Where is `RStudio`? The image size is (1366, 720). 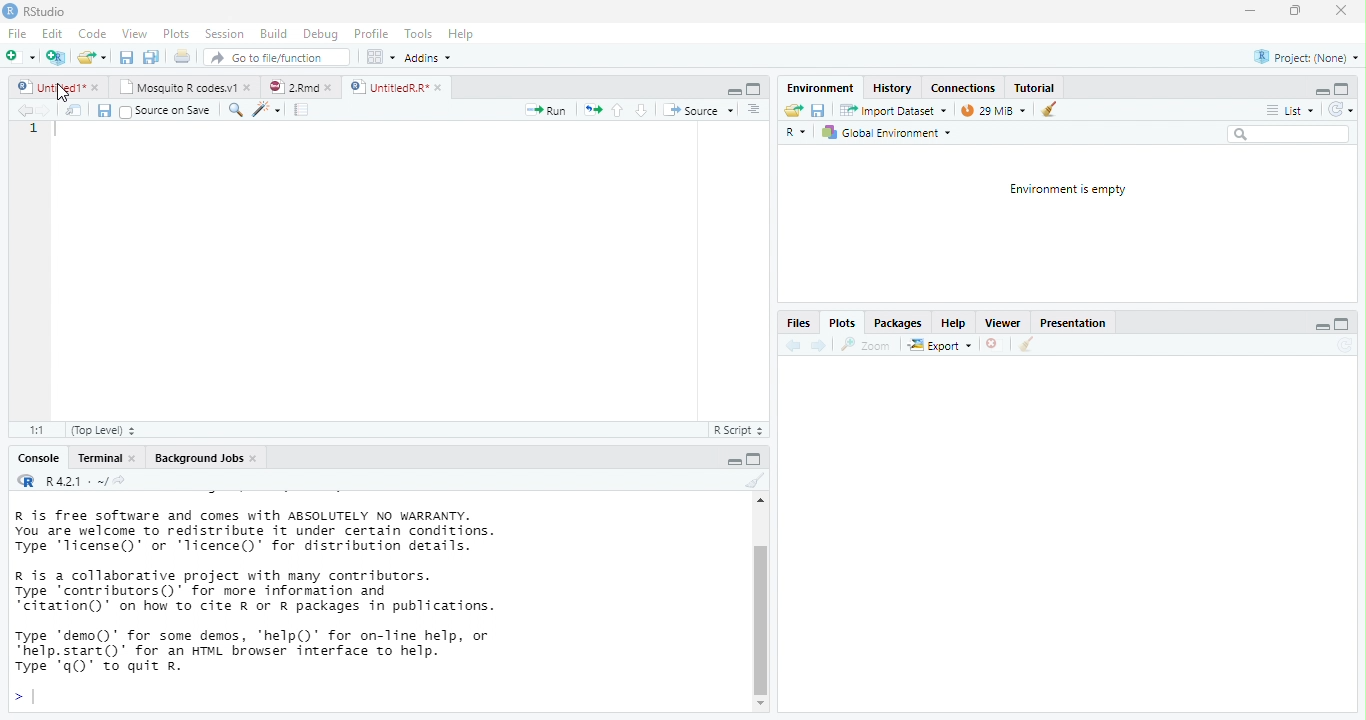 RStudio is located at coordinates (36, 10).